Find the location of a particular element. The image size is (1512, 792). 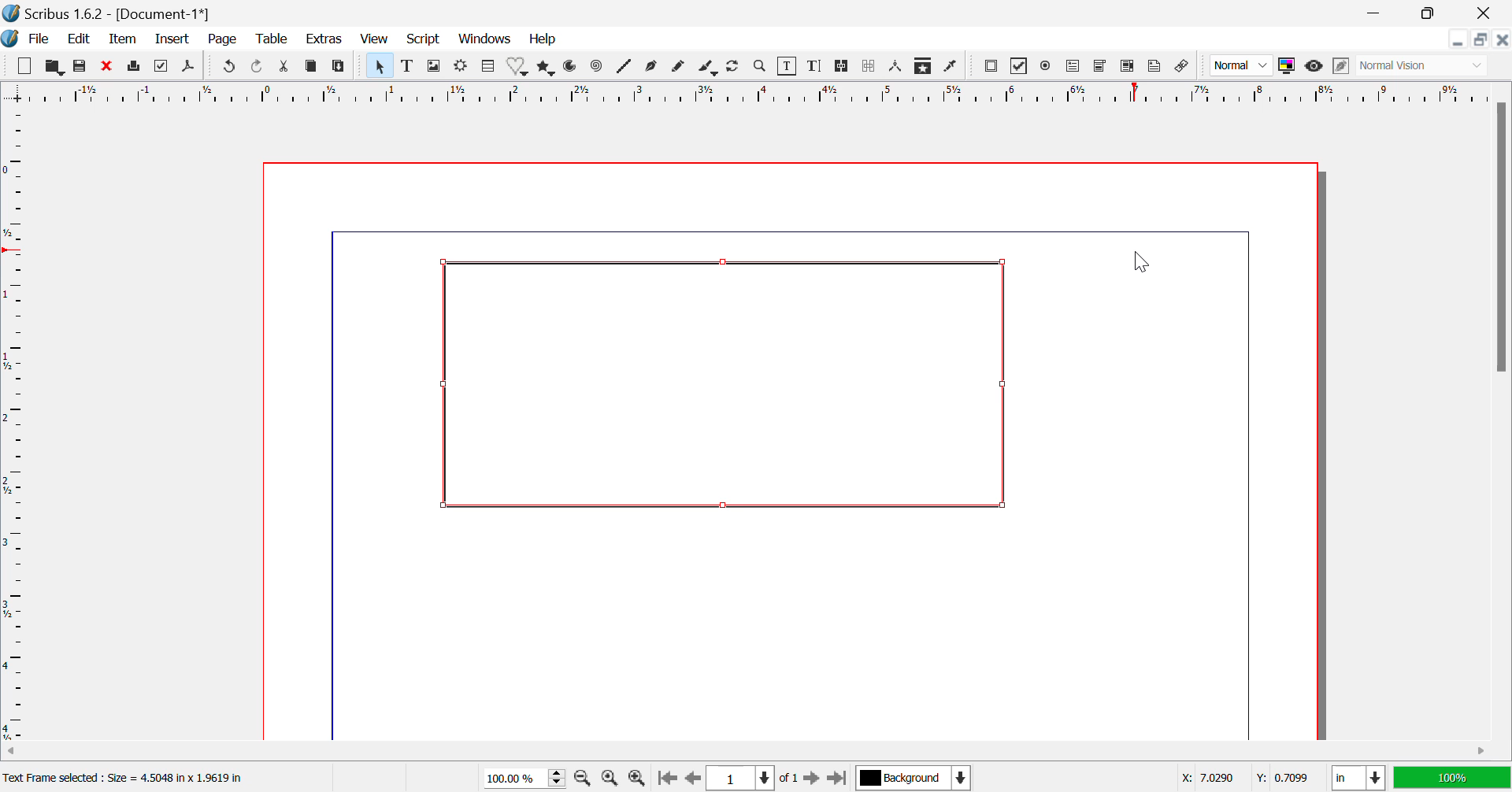

Preview Mode is located at coordinates (1314, 68).